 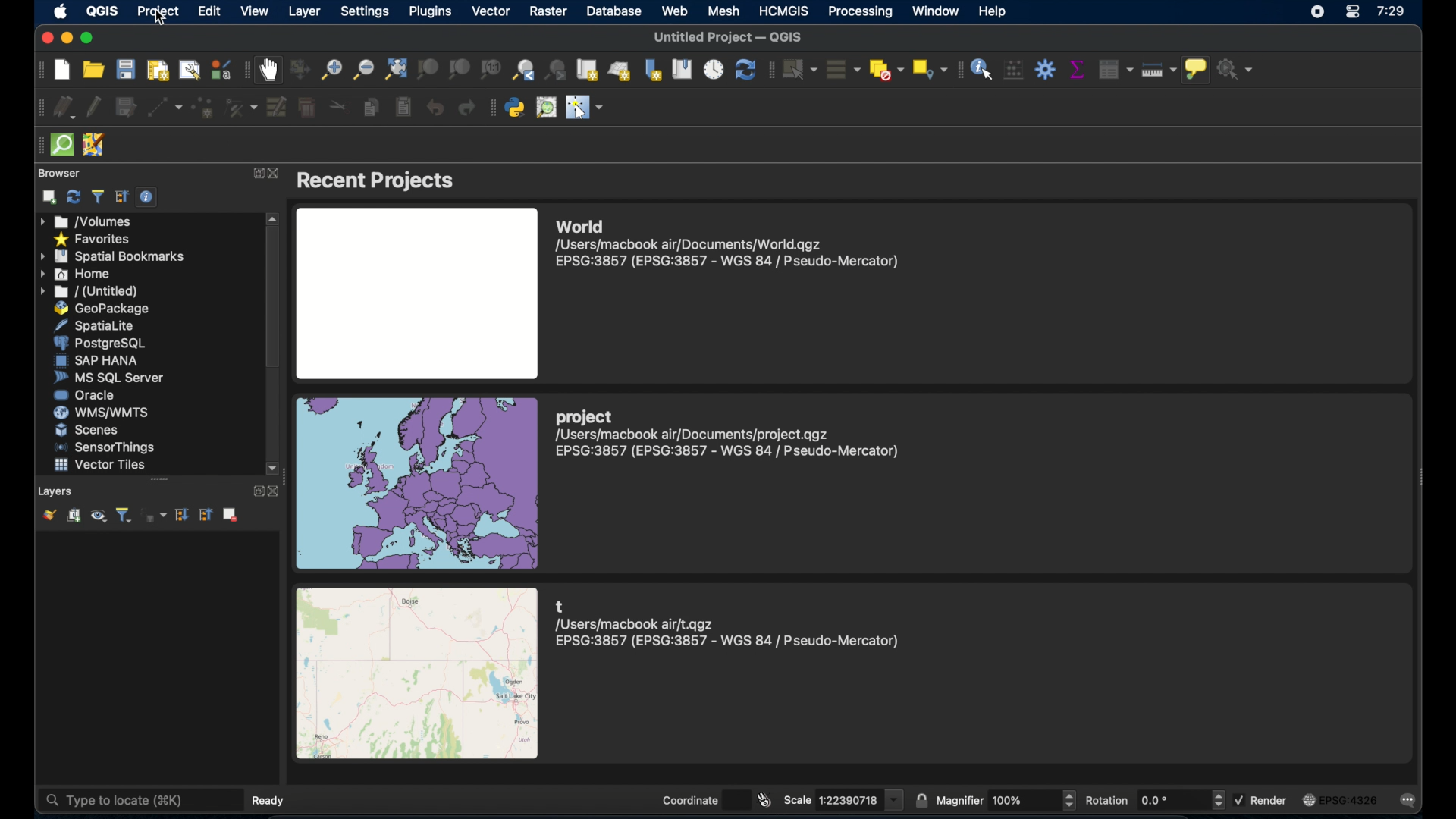 I want to click on oracle, so click(x=85, y=396).